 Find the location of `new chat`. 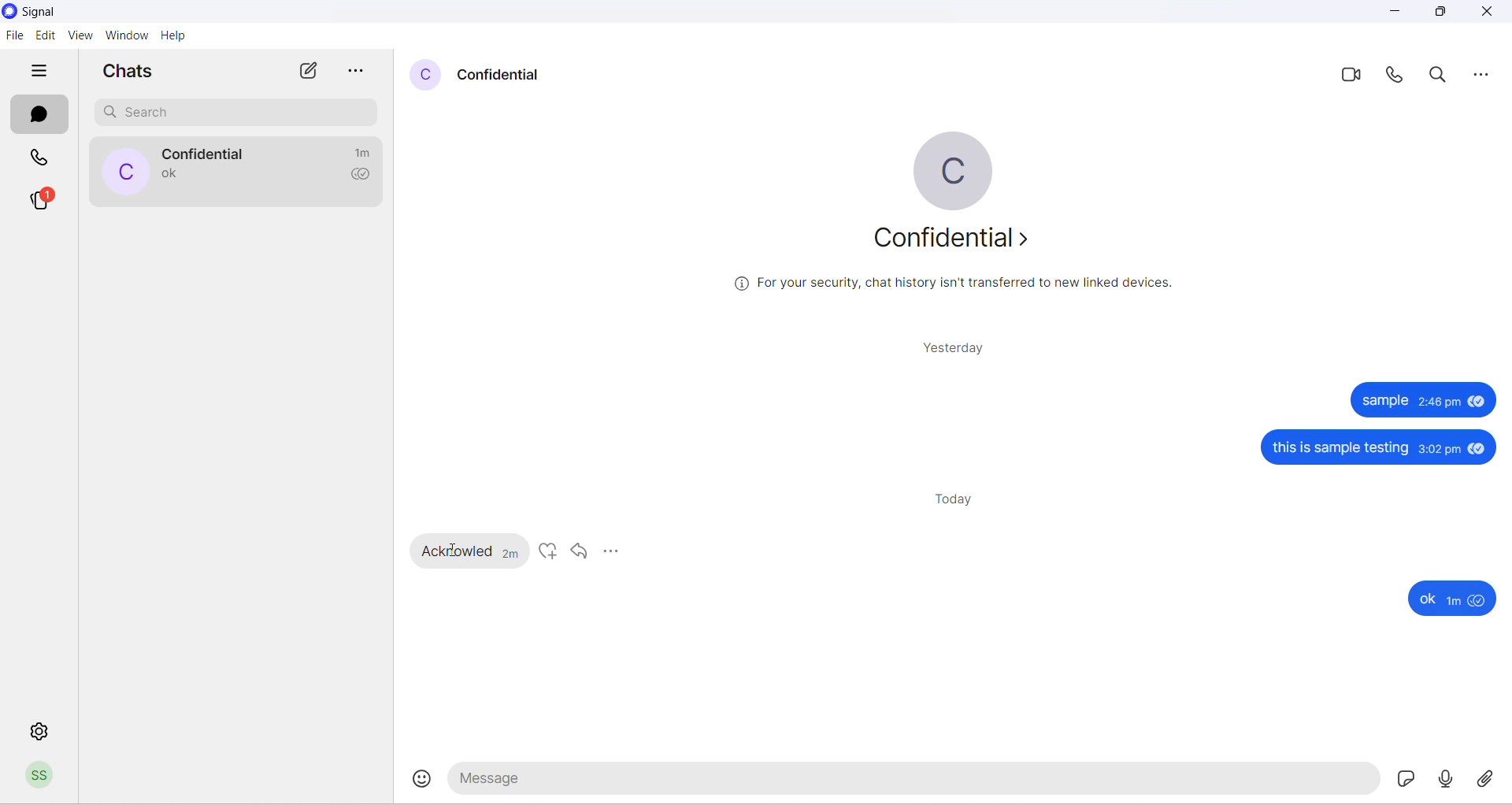

new chat is located at coordinates (308, 72).